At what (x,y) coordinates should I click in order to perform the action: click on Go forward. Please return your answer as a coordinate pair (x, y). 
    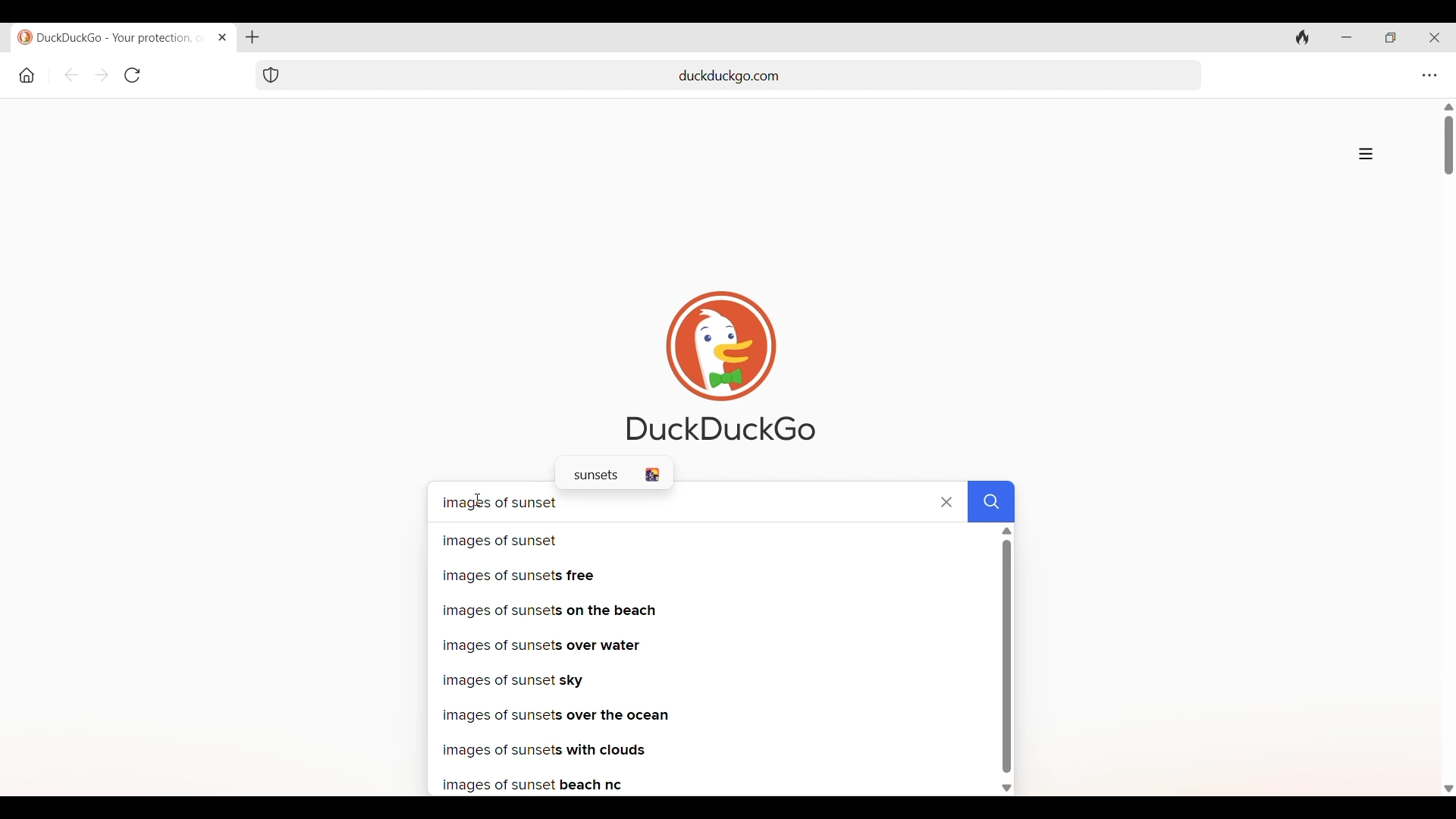
    Looking at the image, I should click on (102, 74).